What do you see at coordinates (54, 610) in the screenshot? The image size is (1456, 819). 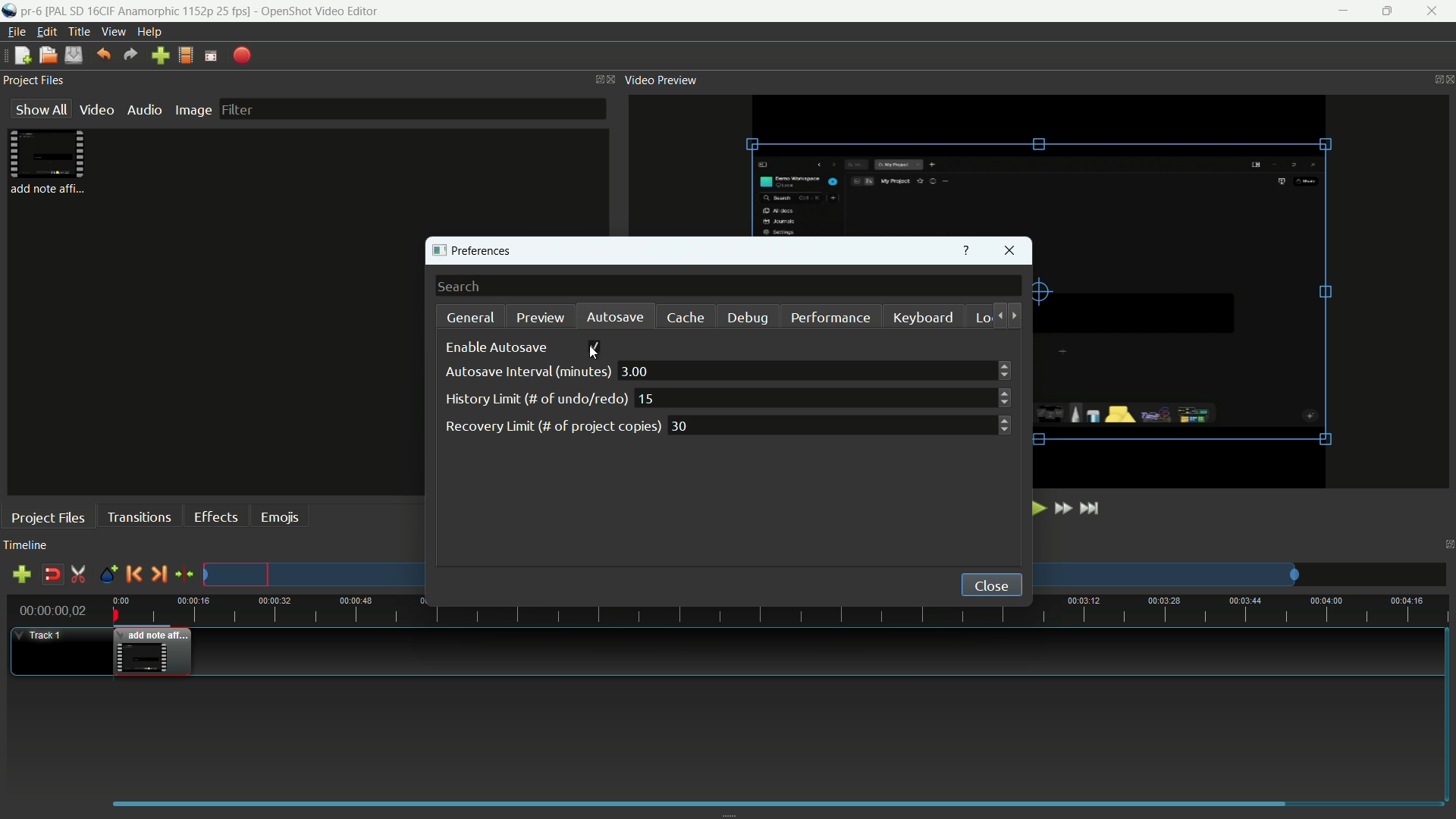 I see `current time` at bounding box center [54, 610].